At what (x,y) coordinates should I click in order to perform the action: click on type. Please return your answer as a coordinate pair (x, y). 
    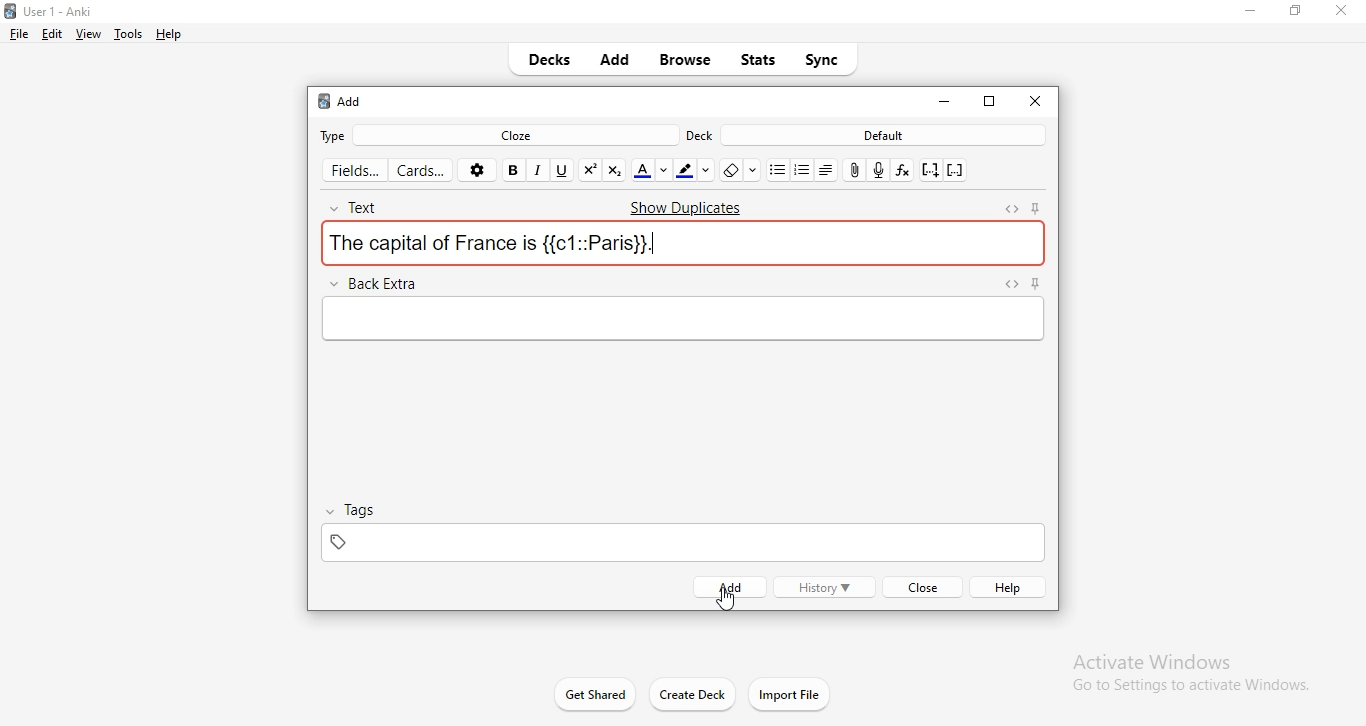
    Looking at the image, I should click on (337, 135).